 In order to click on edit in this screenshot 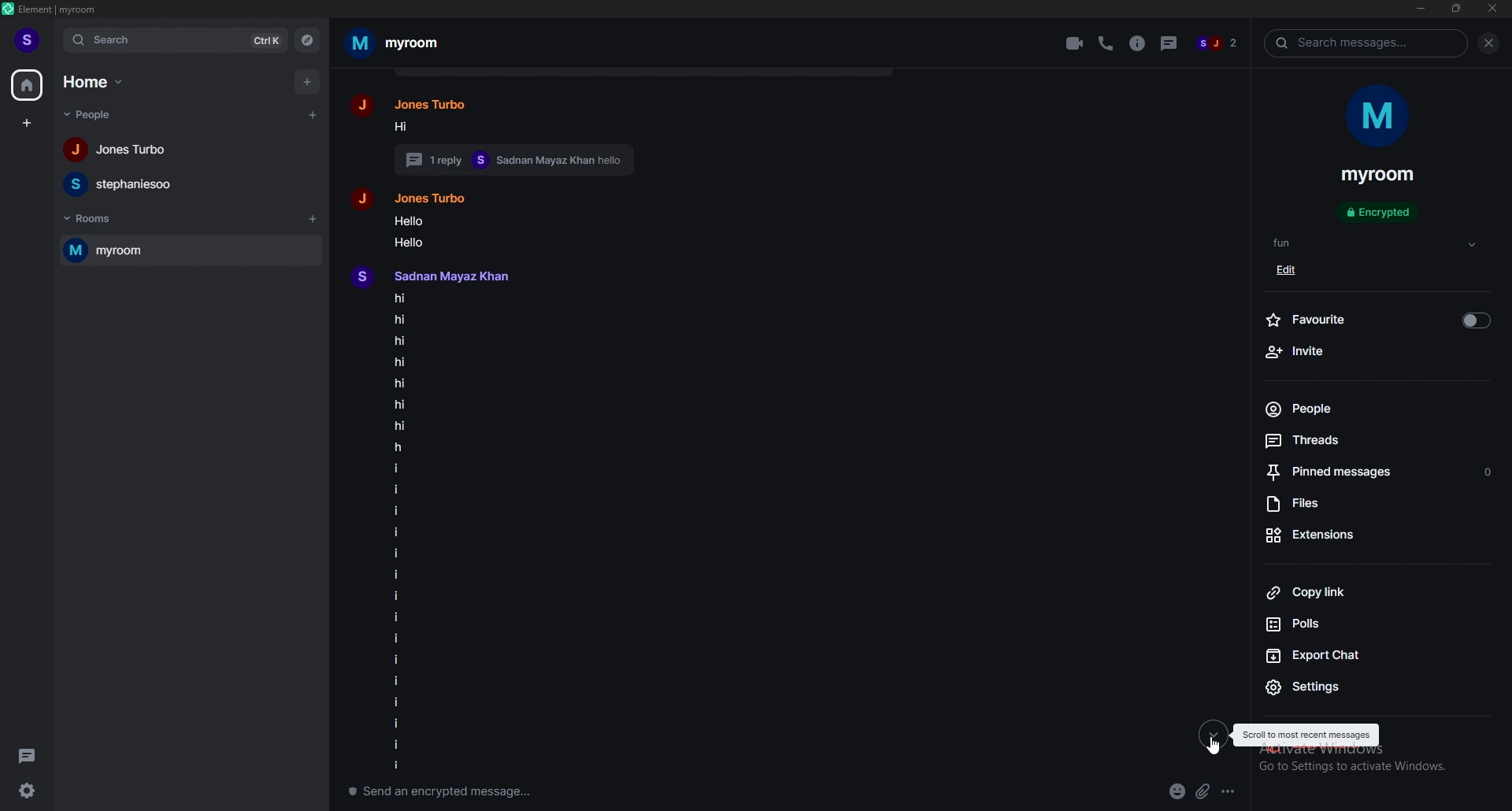, I will do `click(1292, 272)`.